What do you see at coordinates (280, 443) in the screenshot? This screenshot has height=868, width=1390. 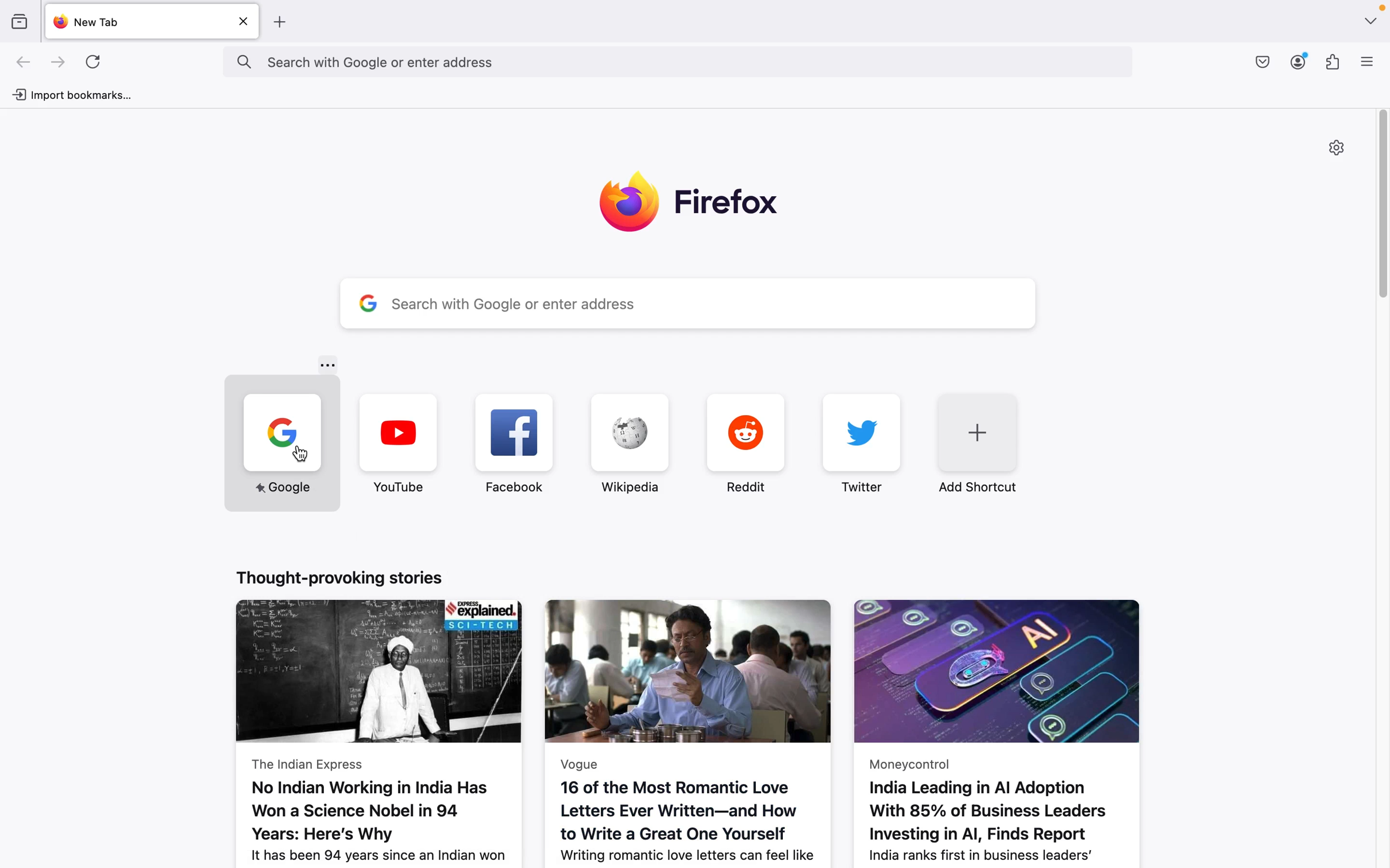 I see `google` at bounding box center [280, 443].